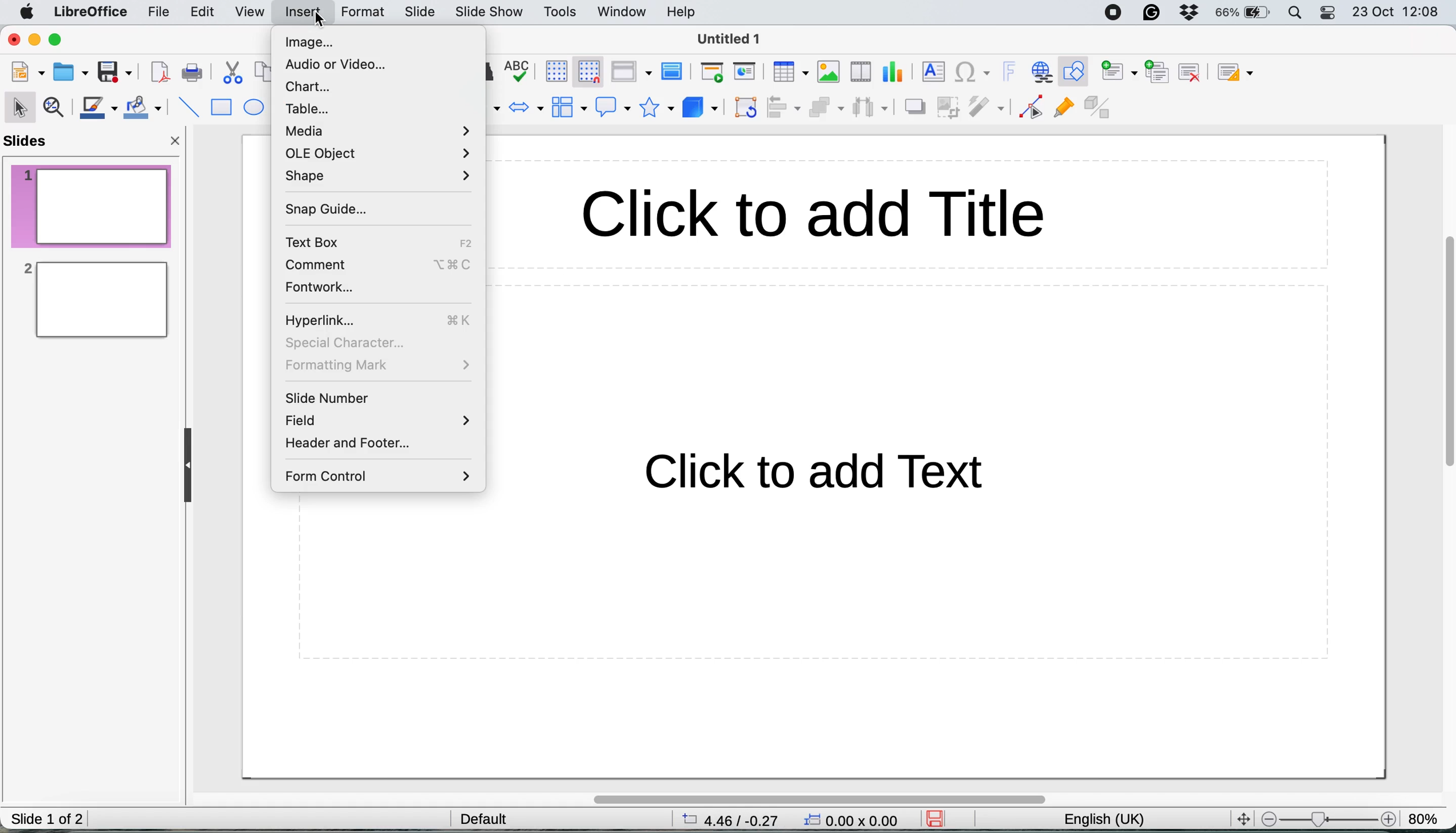  What do you see at coordinates (519, 69) in the screenshot?
I see `spelling` at bounding box center [519, 69].